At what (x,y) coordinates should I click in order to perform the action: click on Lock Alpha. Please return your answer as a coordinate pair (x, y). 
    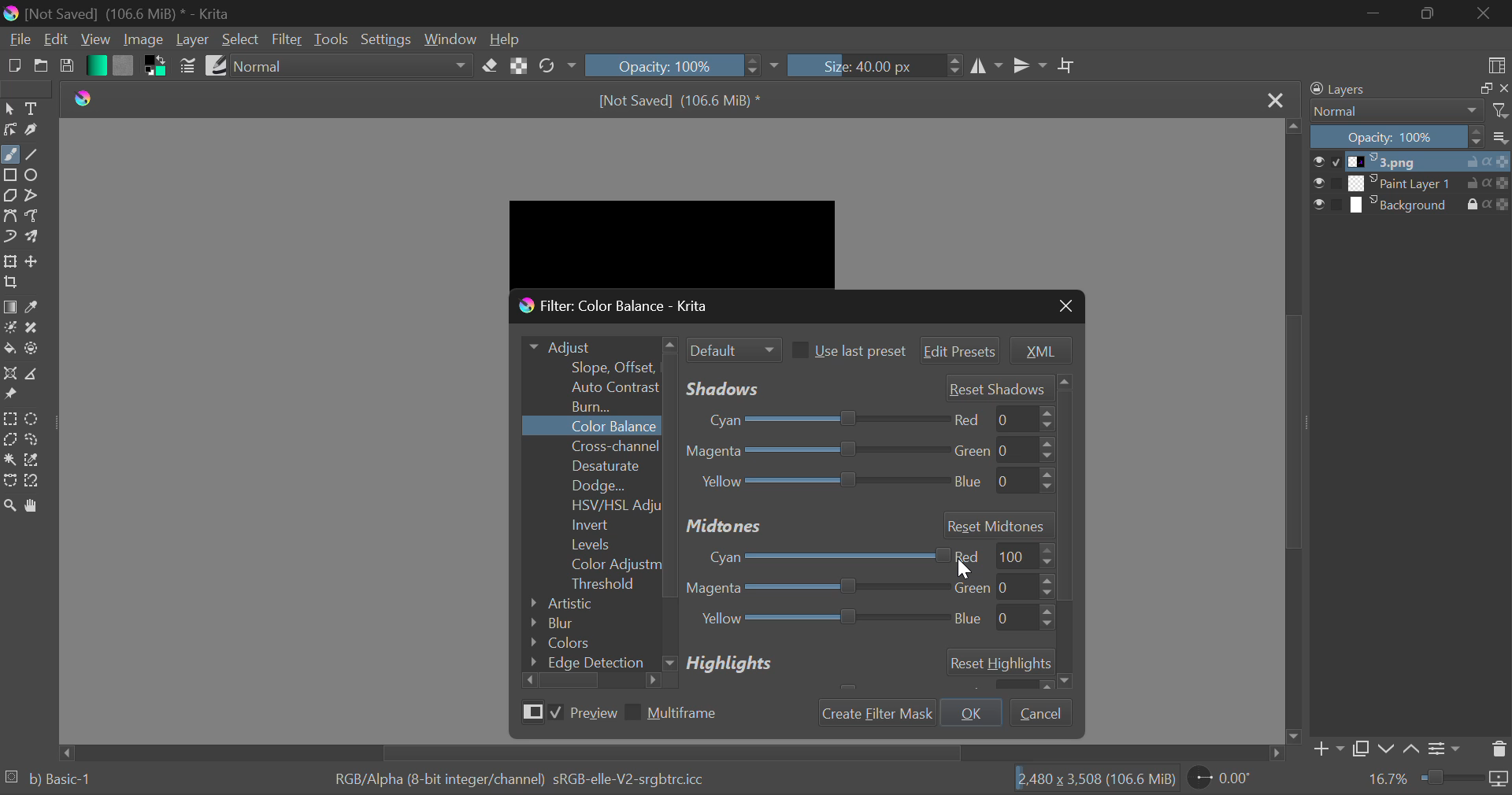
    Looking at the image, I should click on (519, 66).